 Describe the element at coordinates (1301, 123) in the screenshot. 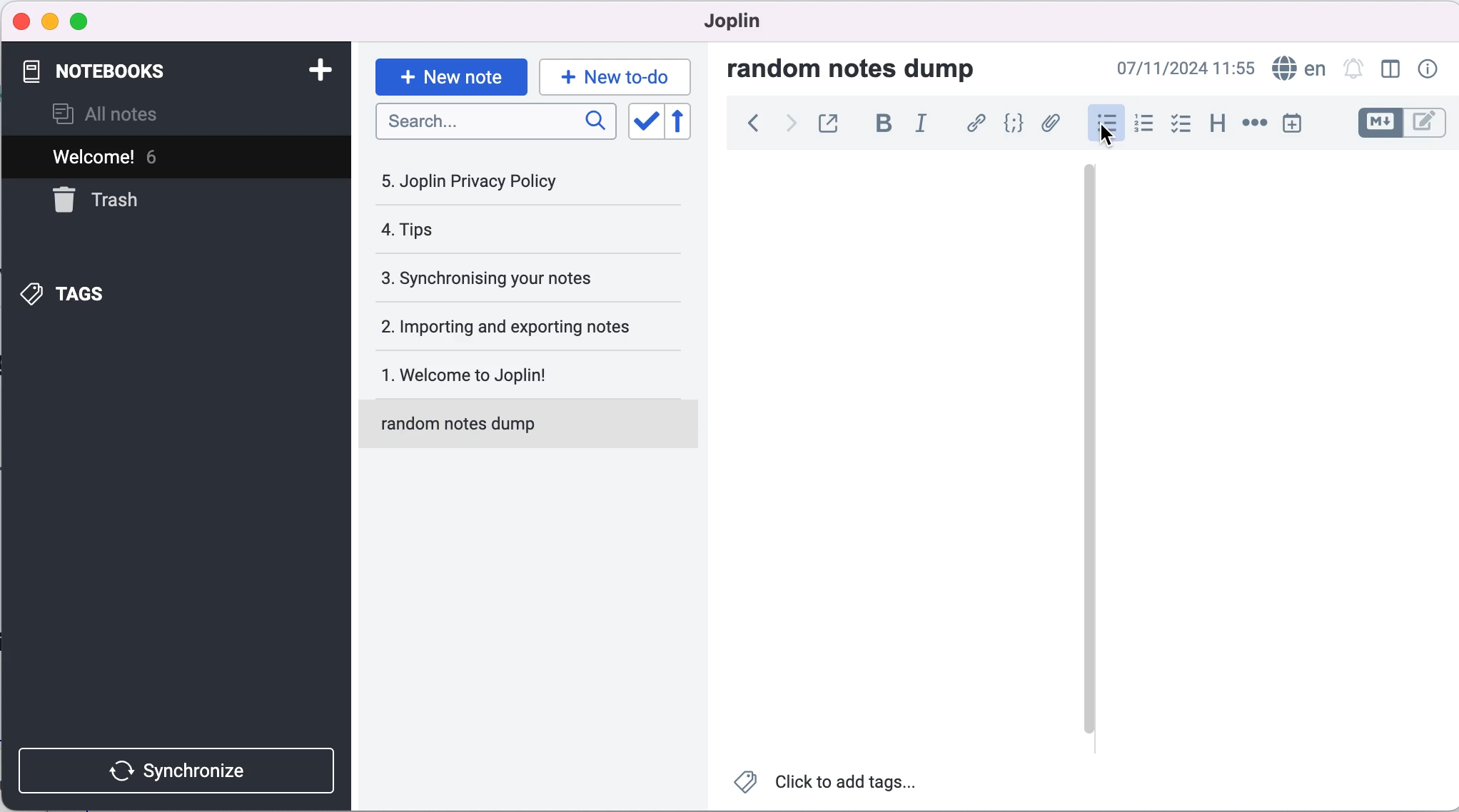

I see `insert time` at that location.